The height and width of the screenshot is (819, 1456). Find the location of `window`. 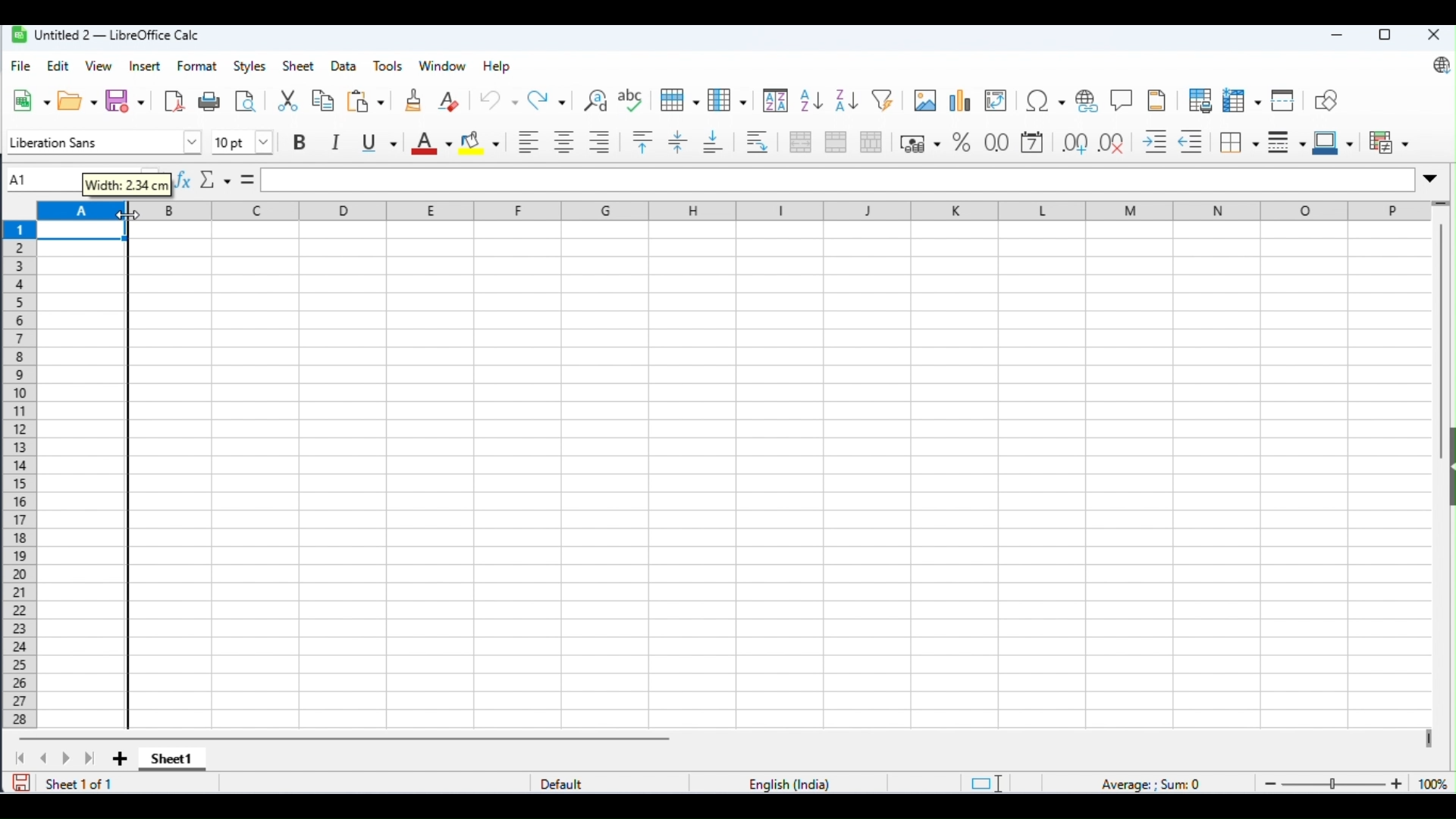

window is located at coordinates (444, 66).